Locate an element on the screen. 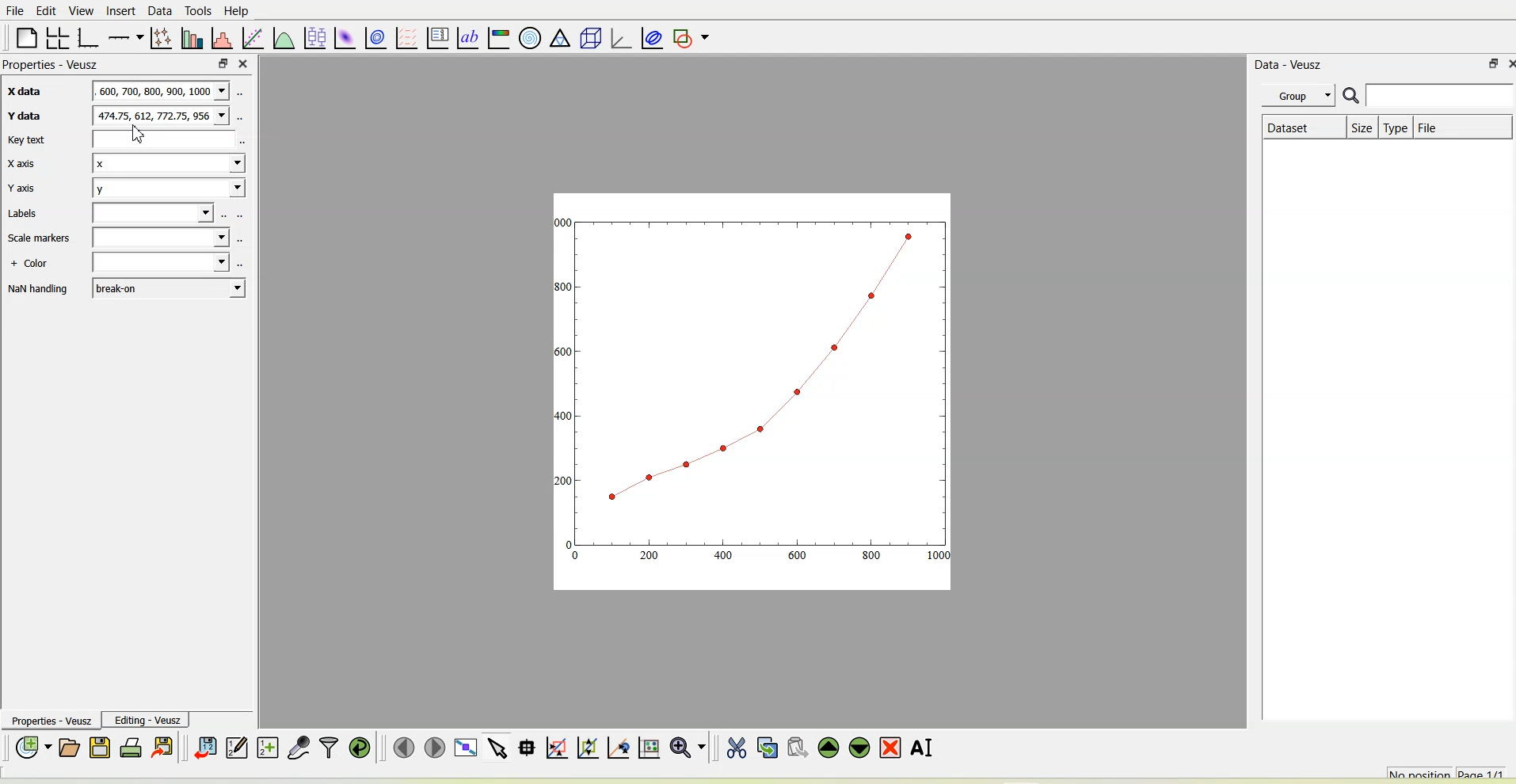 The image size is (1516, 784). 300 is located at coordinates (565, 286).